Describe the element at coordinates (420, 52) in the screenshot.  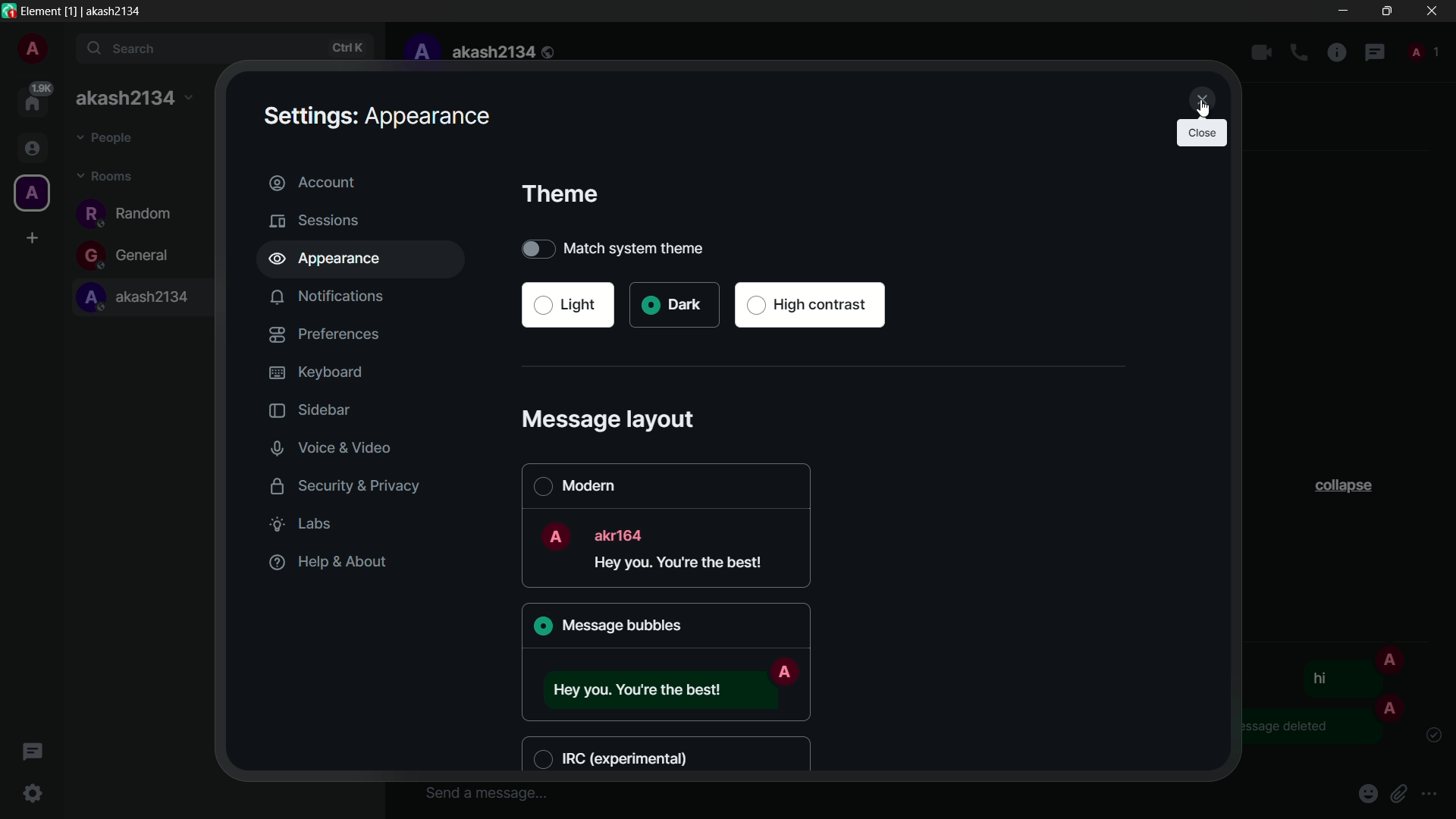
I see `profile` at that location.